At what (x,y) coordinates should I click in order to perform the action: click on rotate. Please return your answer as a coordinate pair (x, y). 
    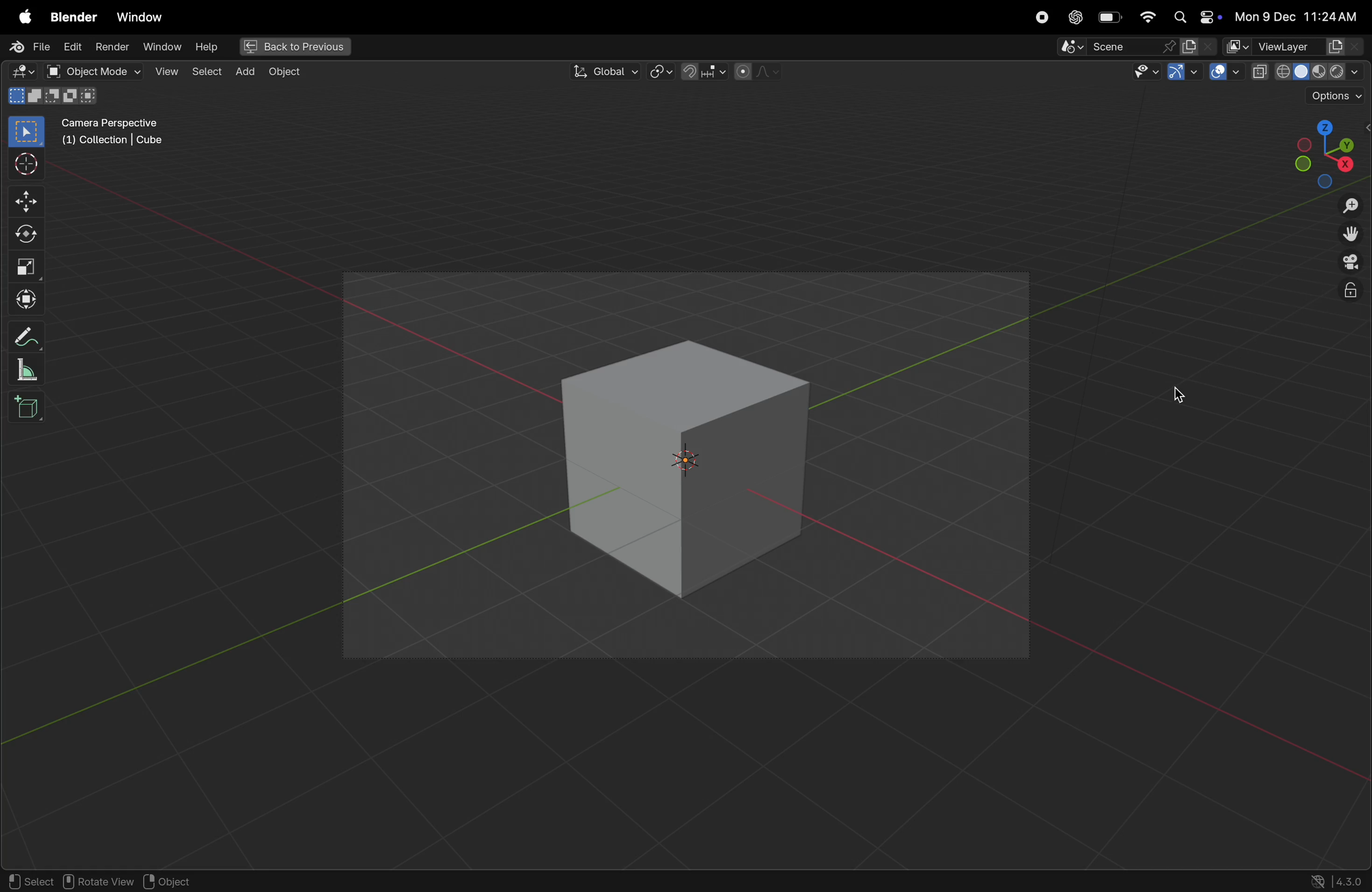
    Looking at the image, I should click on (22, 235).